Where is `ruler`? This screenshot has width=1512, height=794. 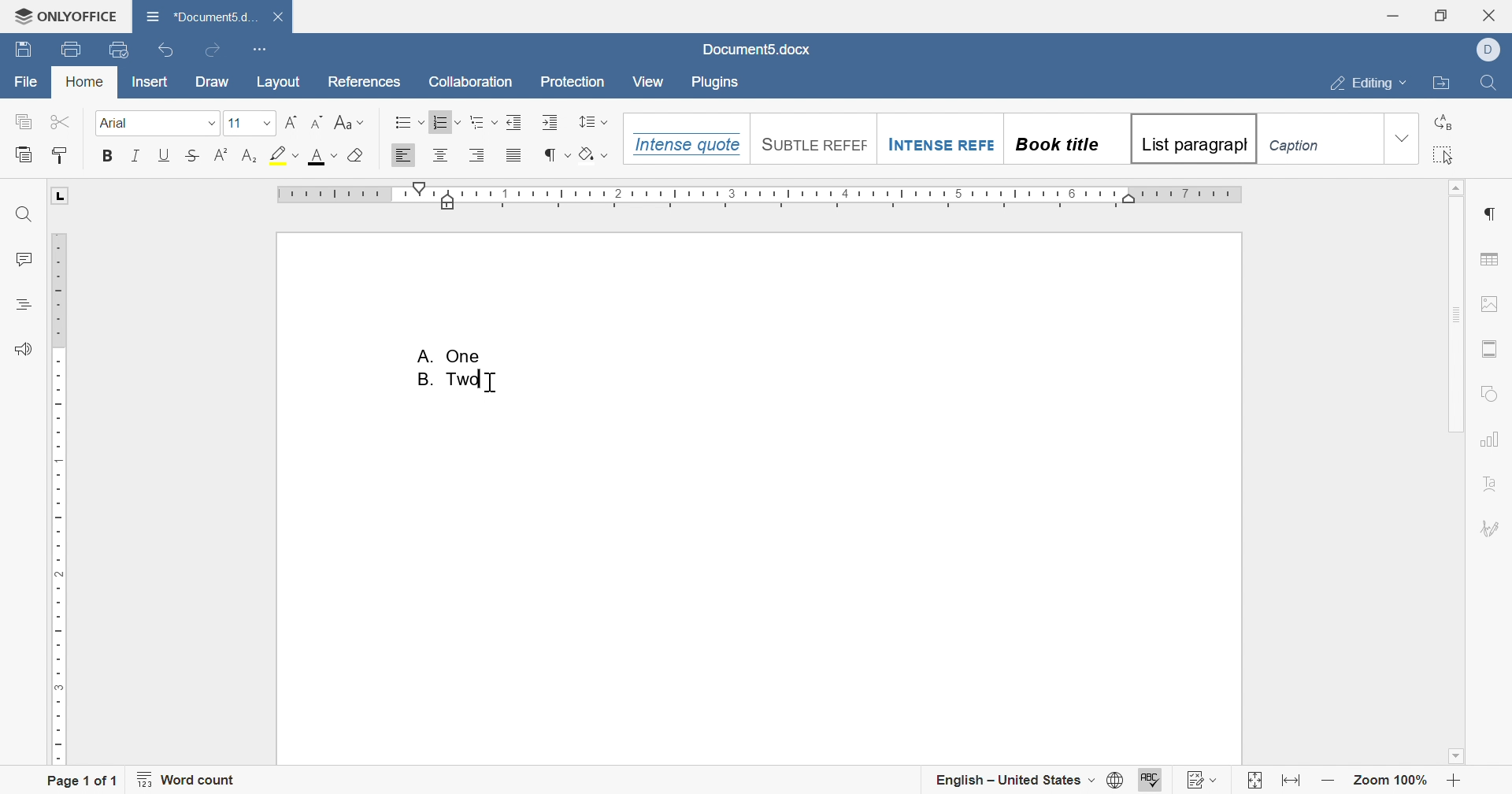 ruler is located at coordinates (760, 196).